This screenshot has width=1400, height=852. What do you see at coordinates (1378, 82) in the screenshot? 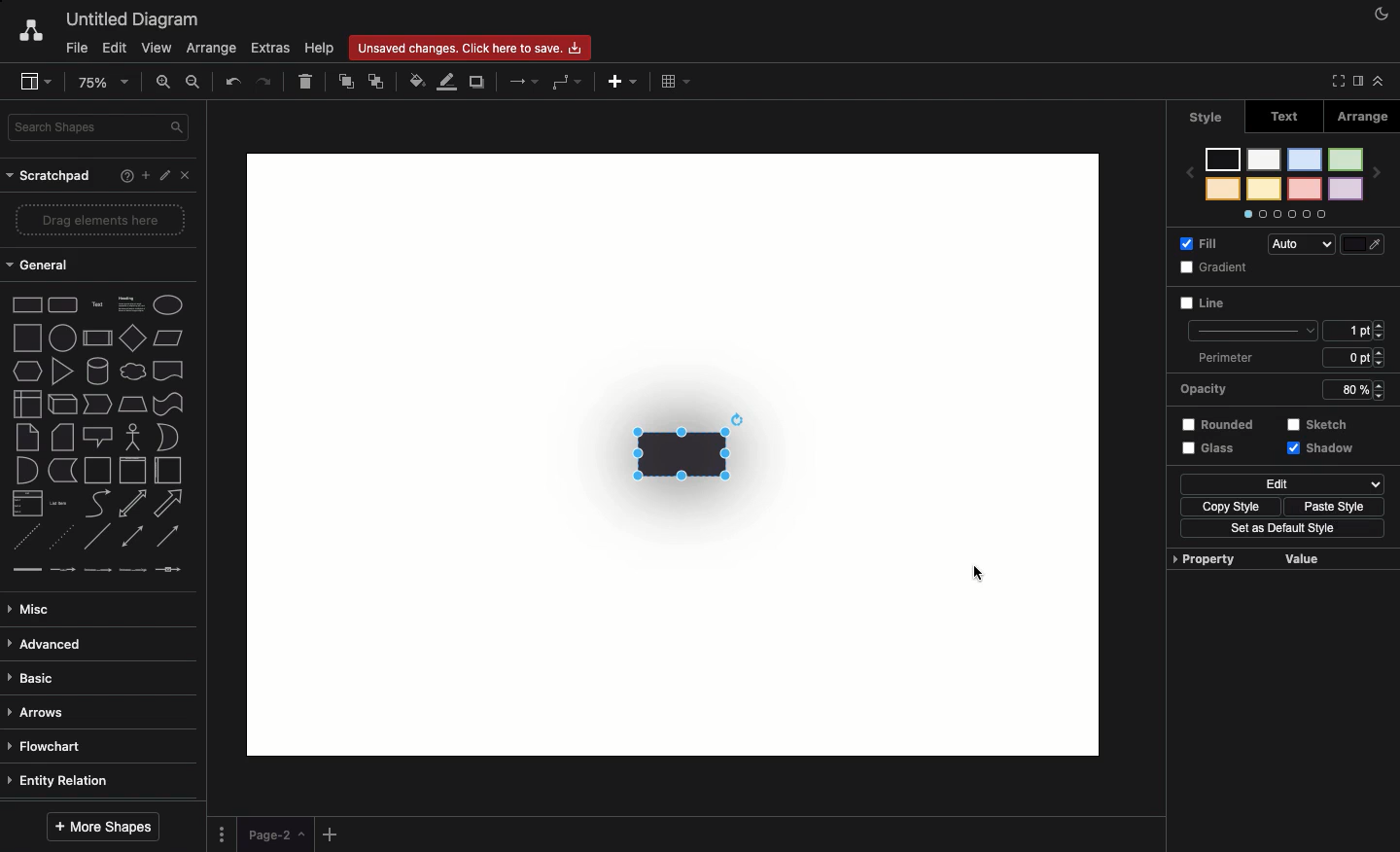
I see `Collapse` at bounding box center [1378, 82].